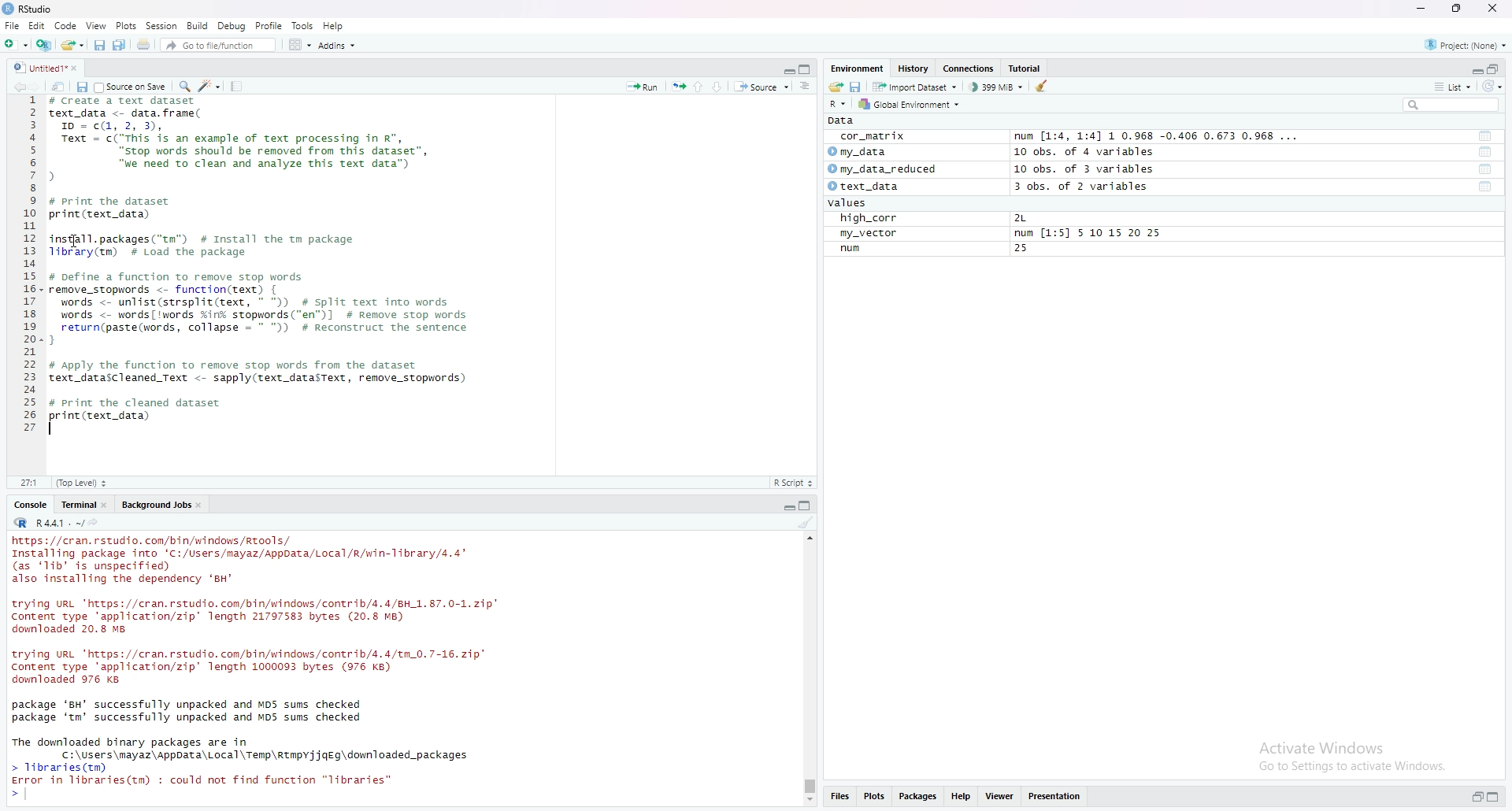 This screenshot has height=811, width=1512. Describe the element at coordinates (1043, 88) in the screenshot. I see `clear object from the workspace` at that location.